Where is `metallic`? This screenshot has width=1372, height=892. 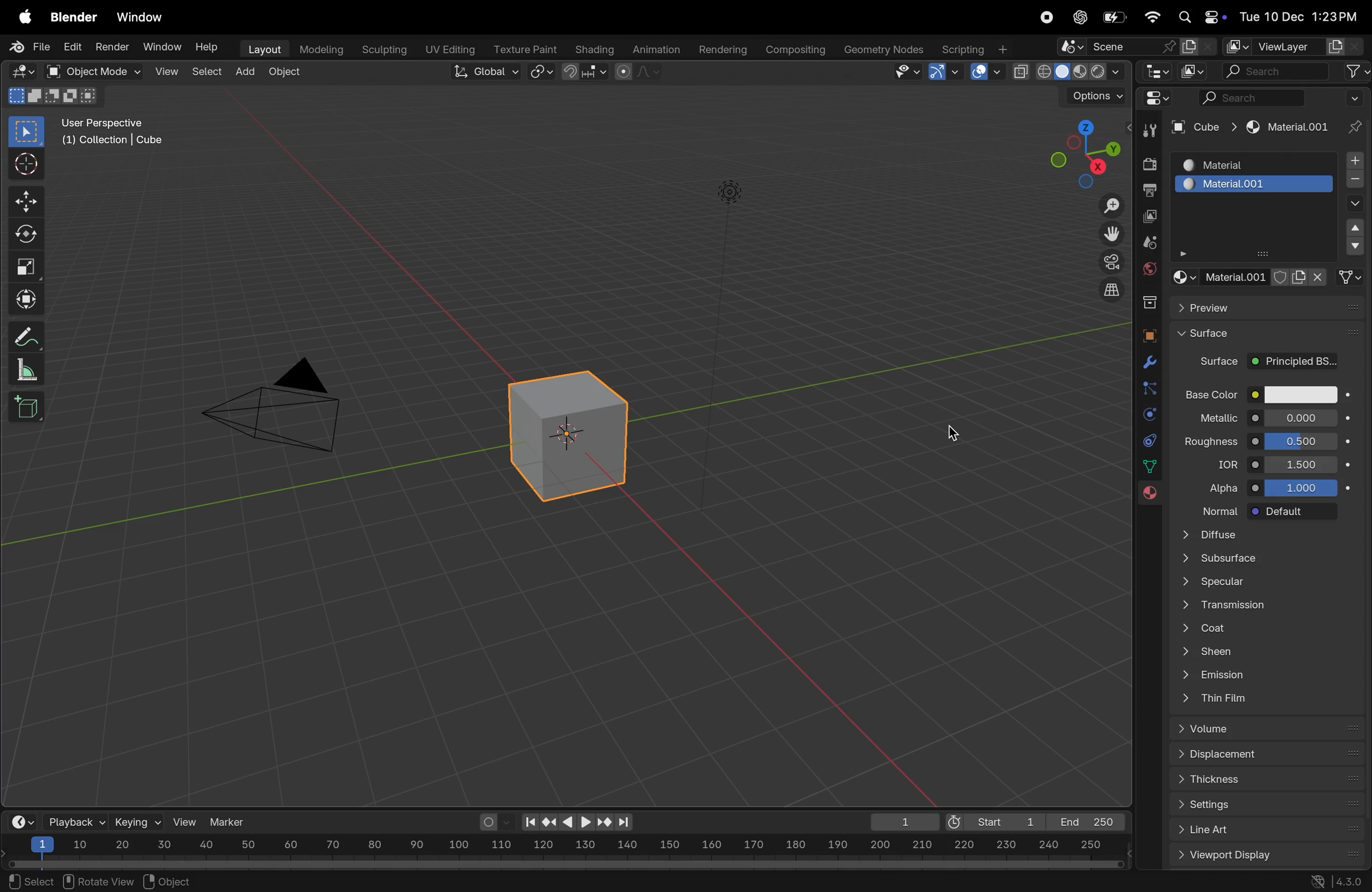
metallic is located at coordinates (1208, 416).